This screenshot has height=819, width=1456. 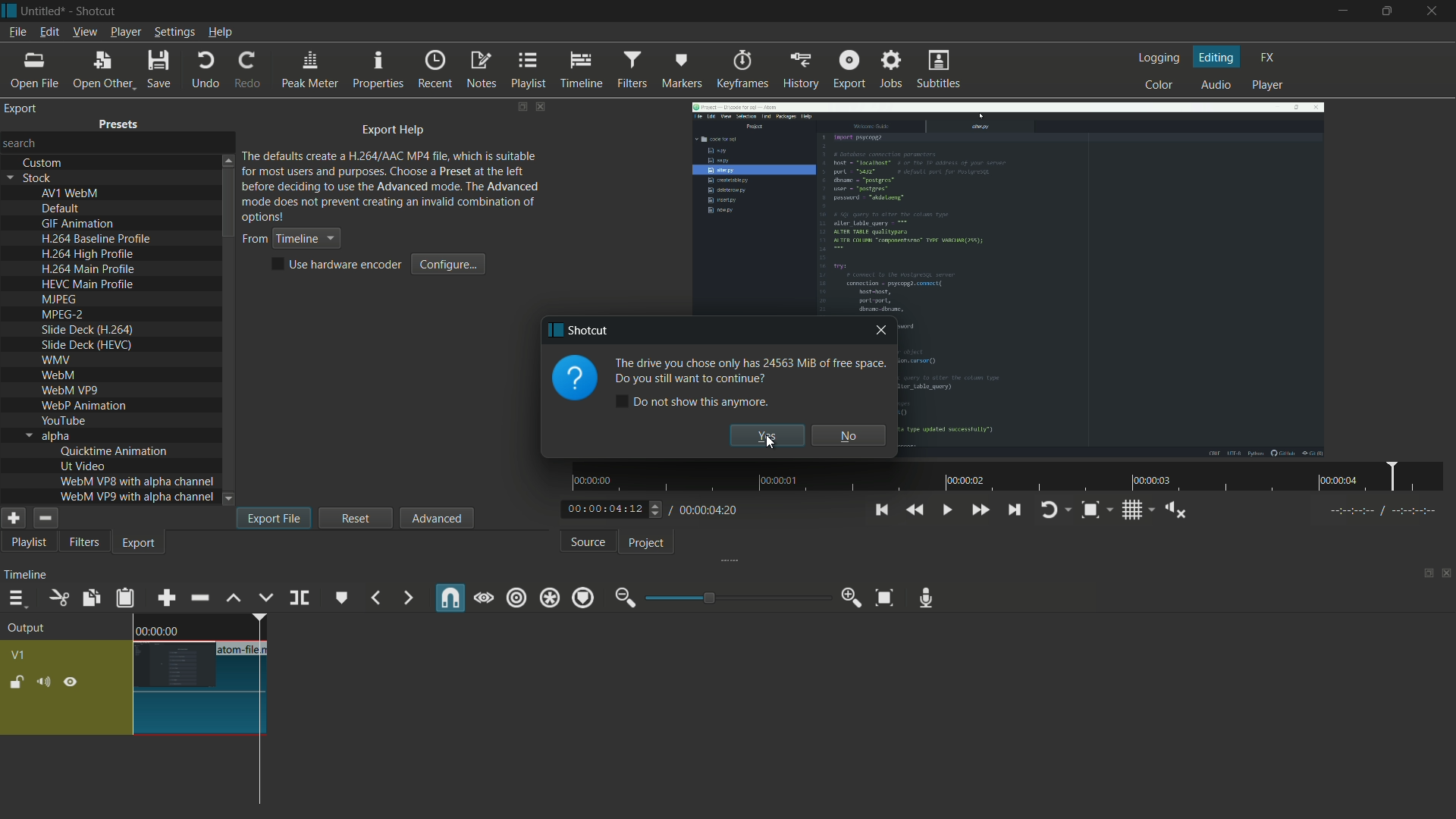 What do you see at coordinates (435, 71) in the screenshot?
I see `recent` at bounding box center [435, 71].